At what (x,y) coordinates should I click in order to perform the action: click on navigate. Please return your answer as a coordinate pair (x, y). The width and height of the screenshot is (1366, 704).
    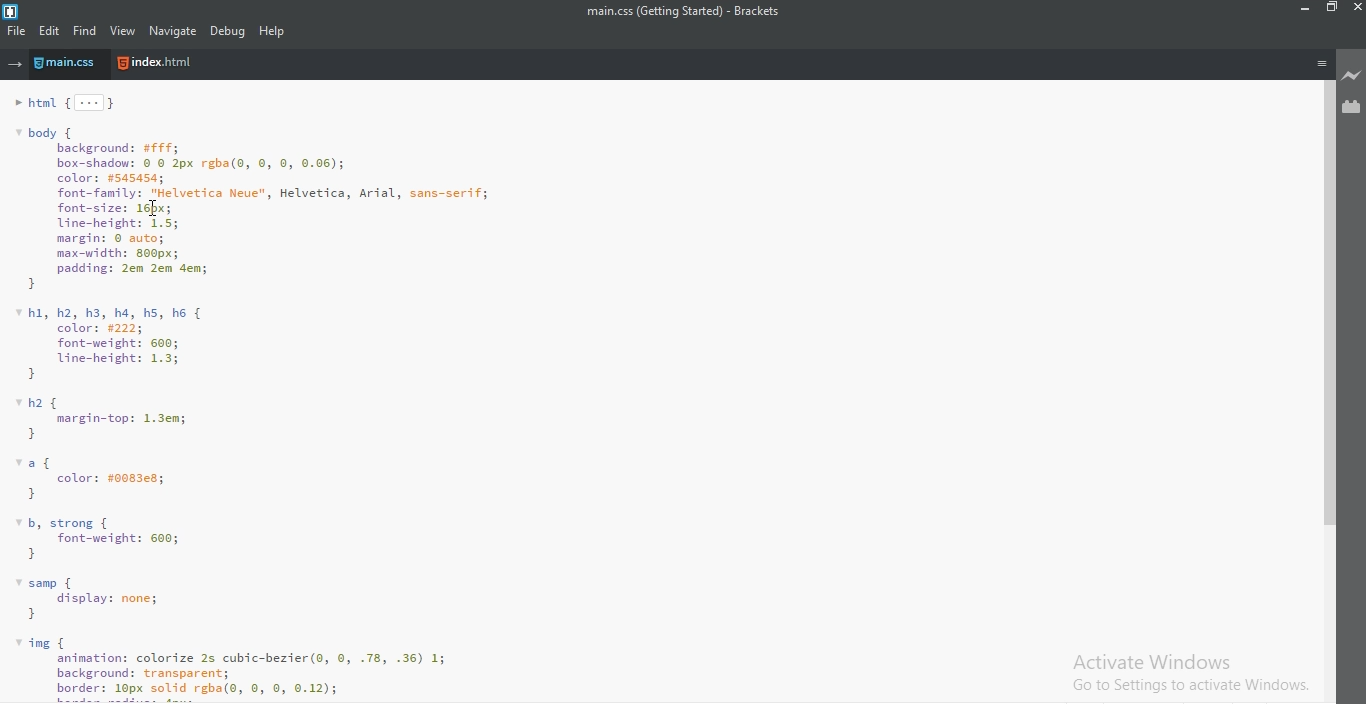
    Looking at the image, I should click on (171, 31).